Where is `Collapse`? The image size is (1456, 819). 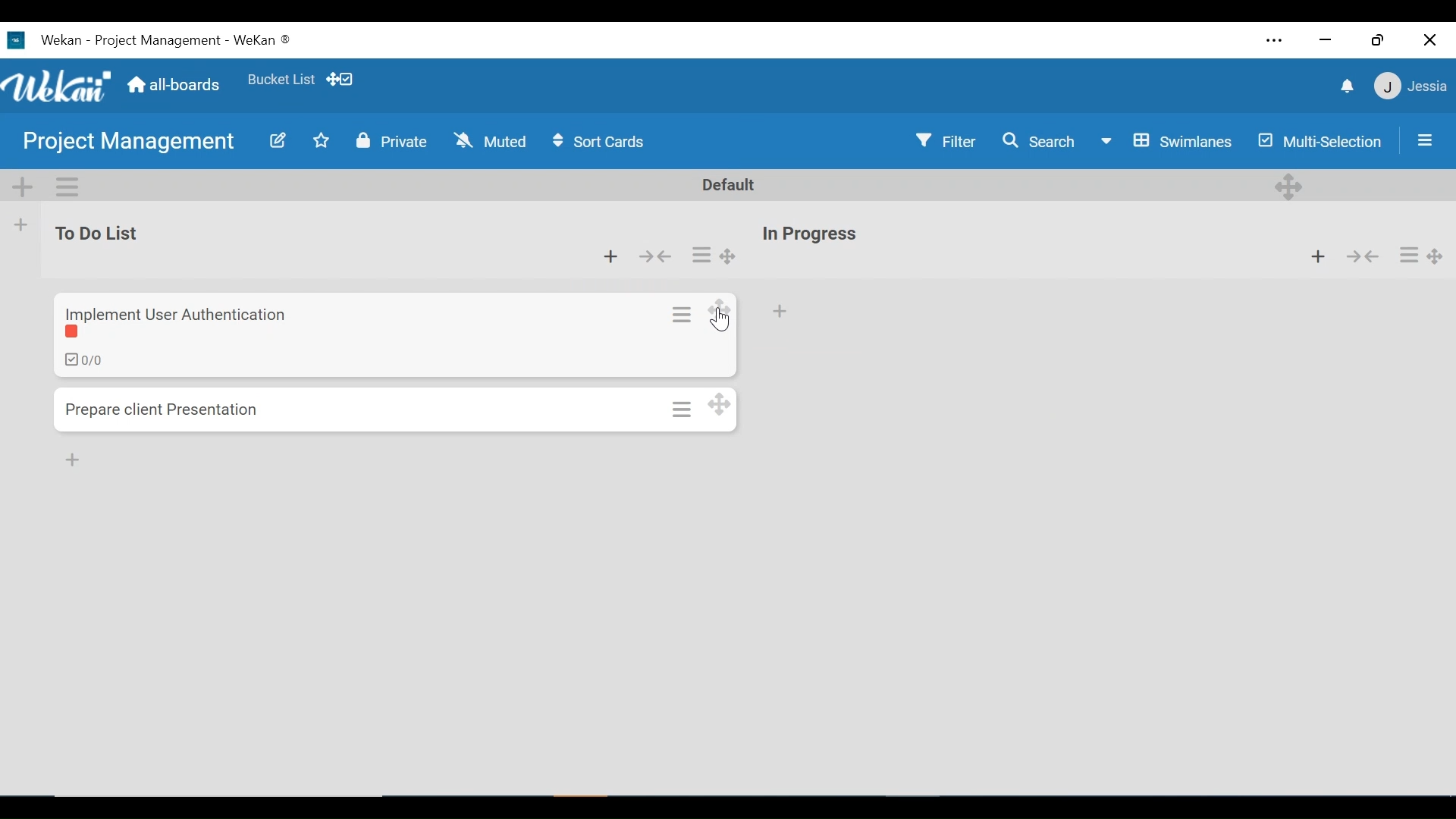
Collapse is located at coordinates (653, 257).